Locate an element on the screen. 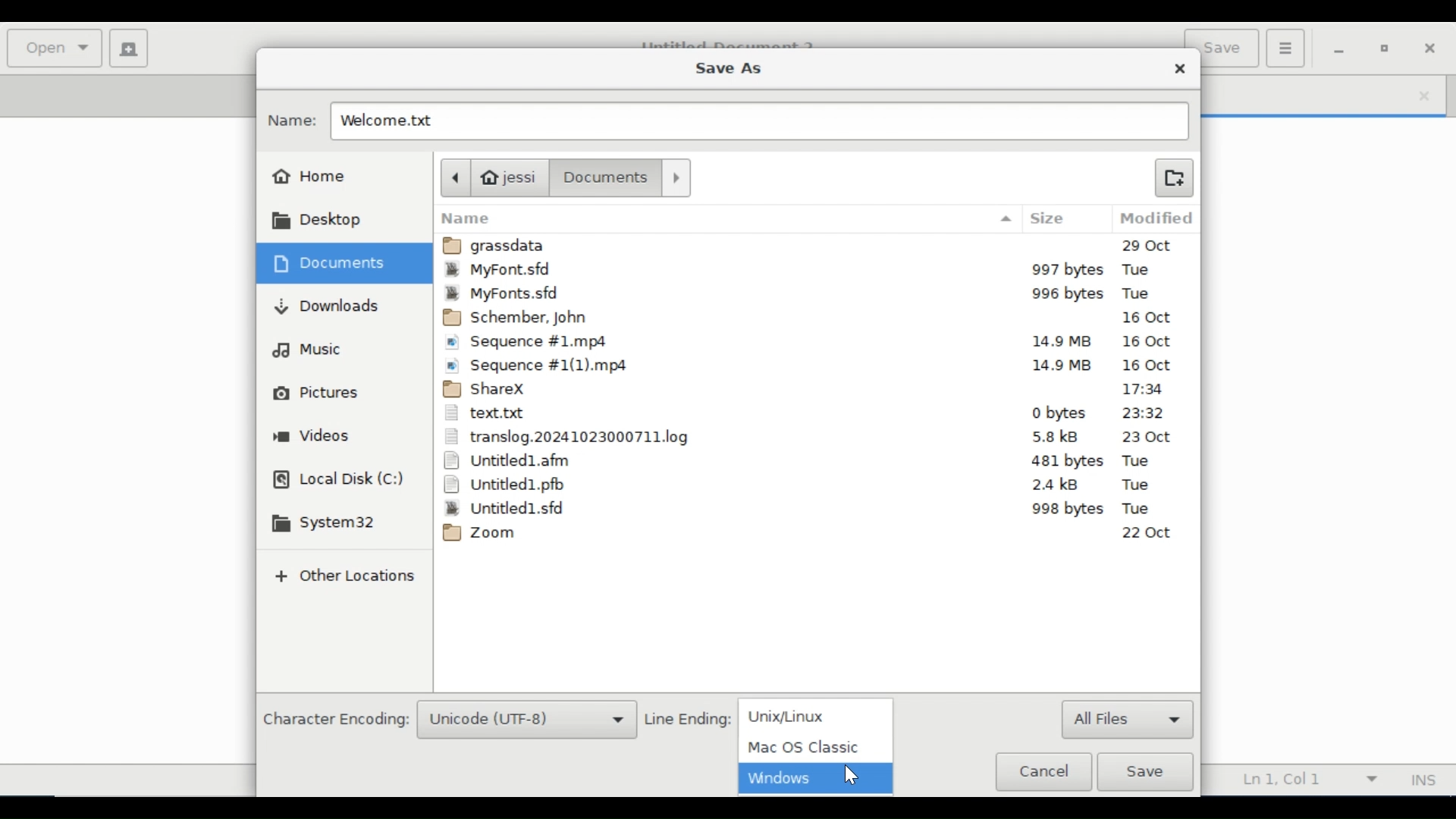 The width and height of the screenshot is (1456, 819). Save As is located at coordinates (726, 70).